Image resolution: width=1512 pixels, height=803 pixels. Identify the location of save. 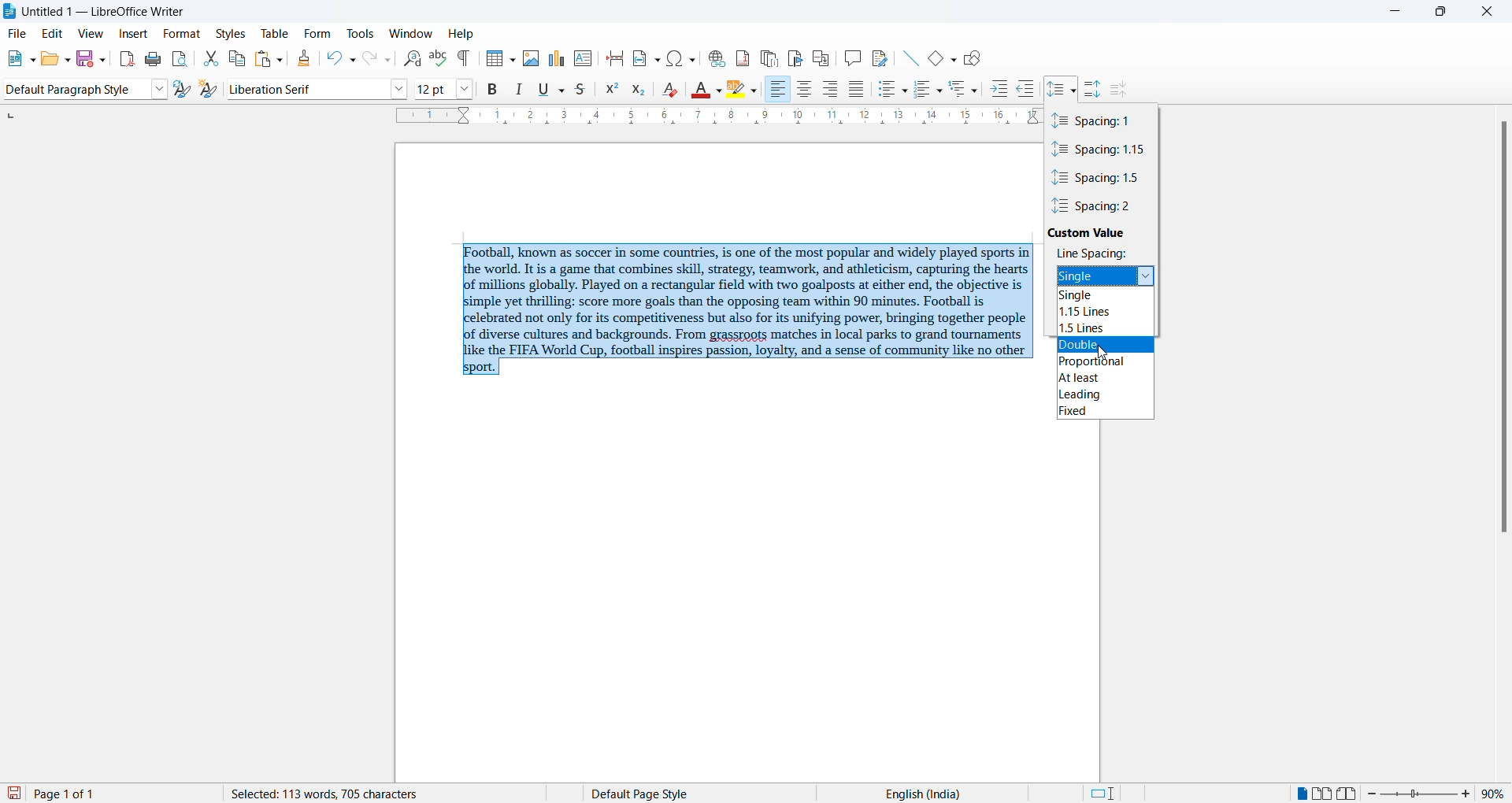
(82, 57).